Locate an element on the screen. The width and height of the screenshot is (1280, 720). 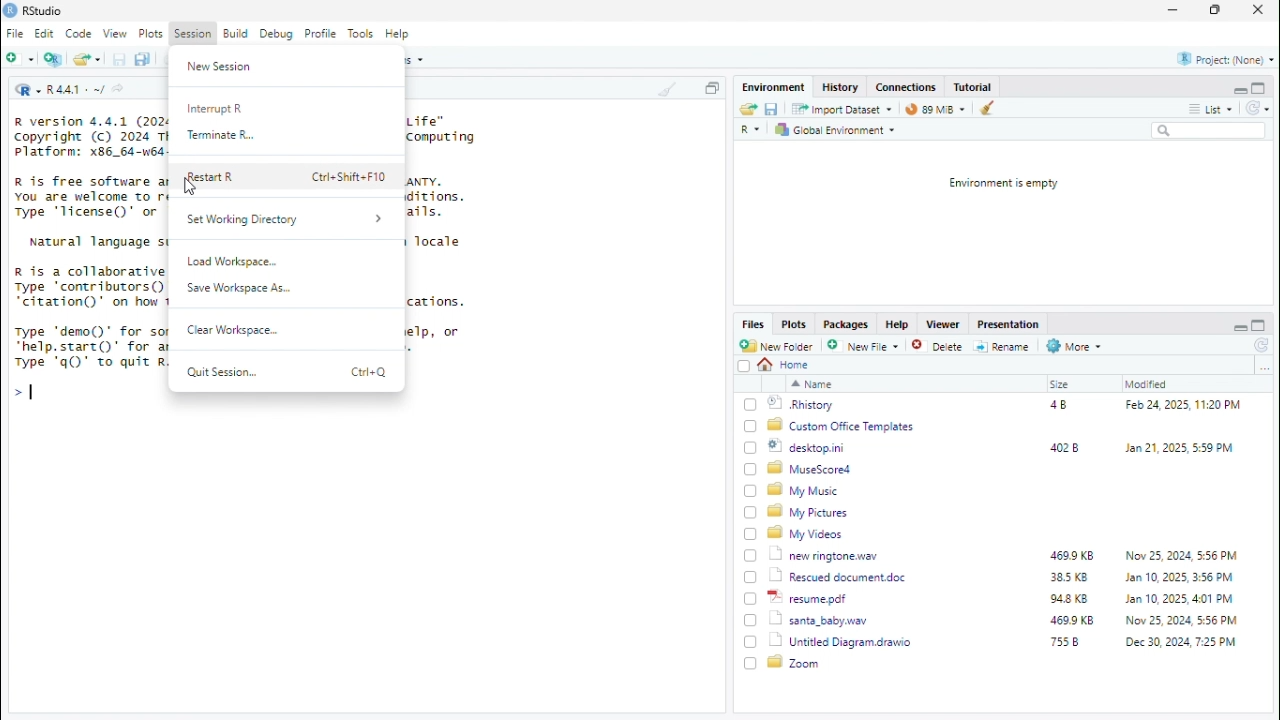
Cursor  is located at coordinates (191, 186).